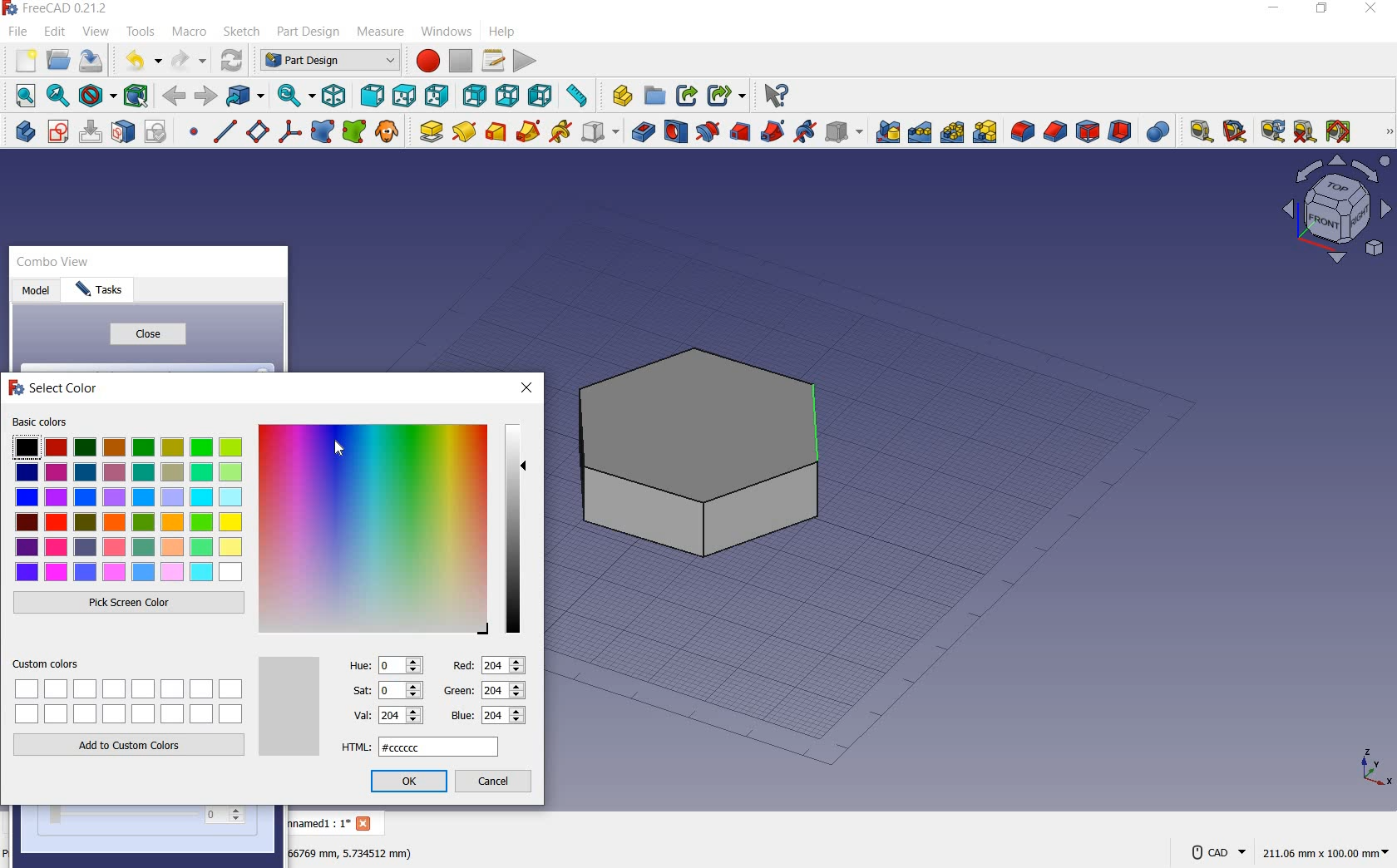 The width and height of the screenshot is (1397, 868). I want to click on create MultiTransform, so click(985, 132).